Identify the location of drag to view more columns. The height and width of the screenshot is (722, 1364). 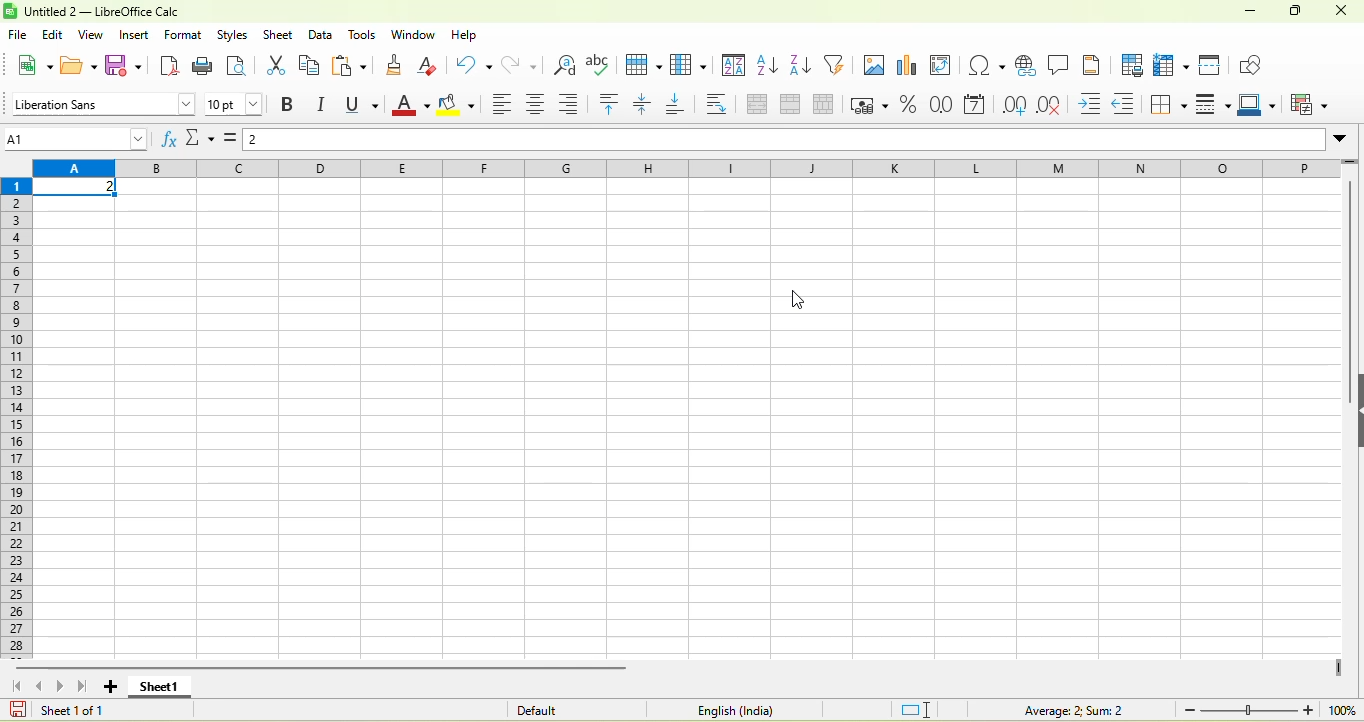
(1339, 668).